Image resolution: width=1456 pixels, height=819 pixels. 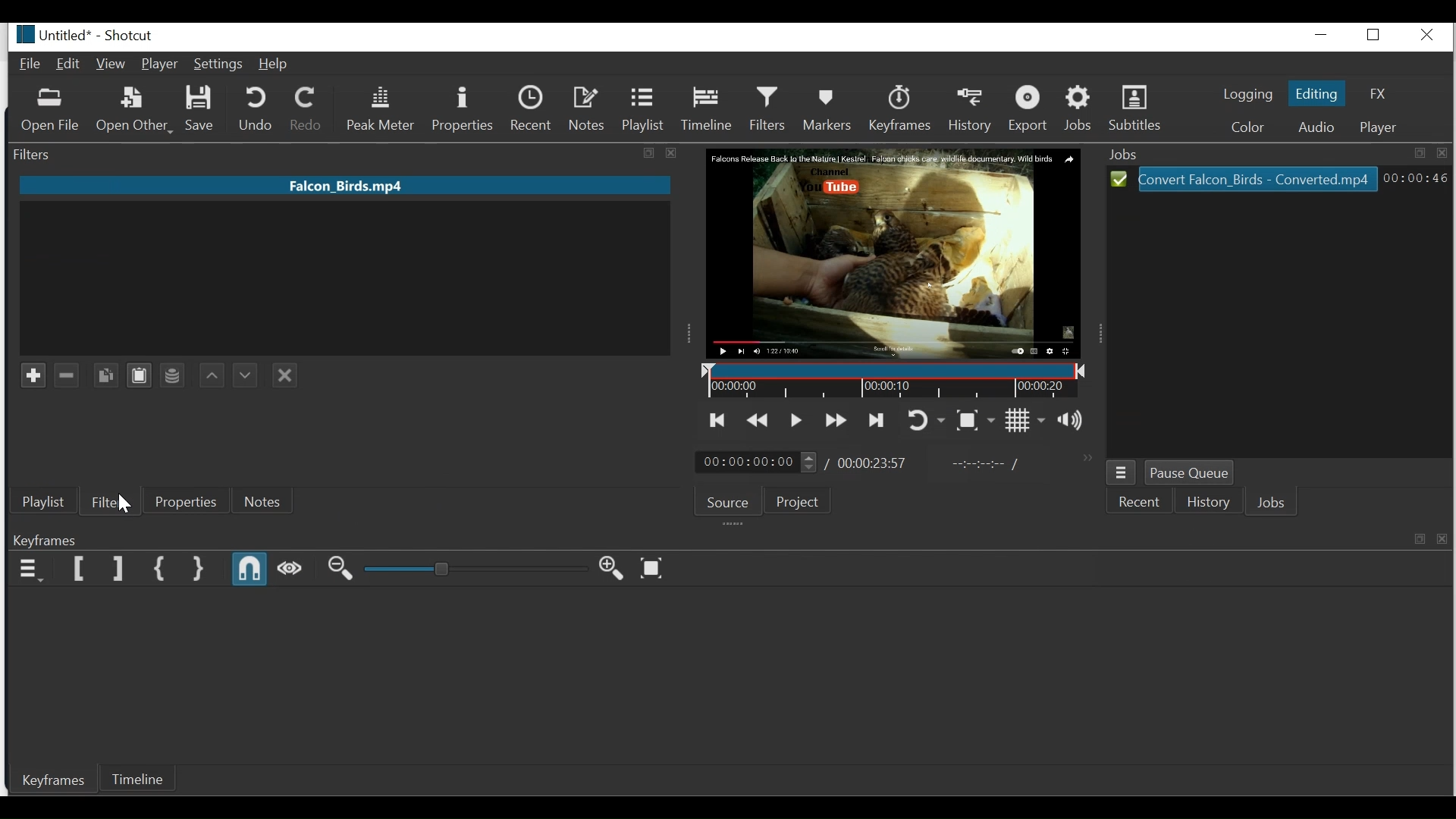 What do you see at coordinates (797, 420) in the screenshot?
I see `Toggle play or pause` at bounding box center [797, 420].